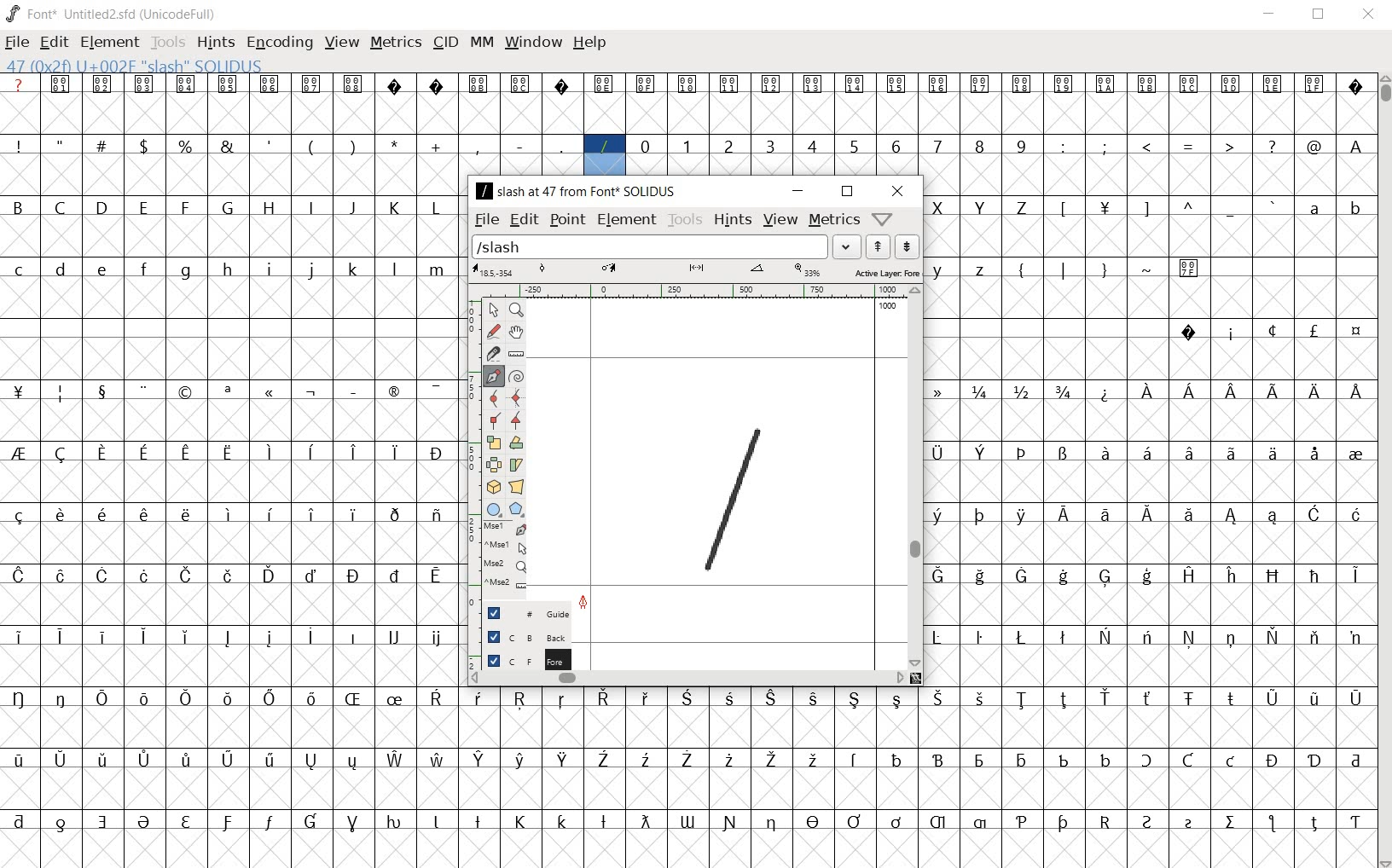 The width and height of the screenshot is (1392, 868). I want to click on empty cells, so click(1149, 299).